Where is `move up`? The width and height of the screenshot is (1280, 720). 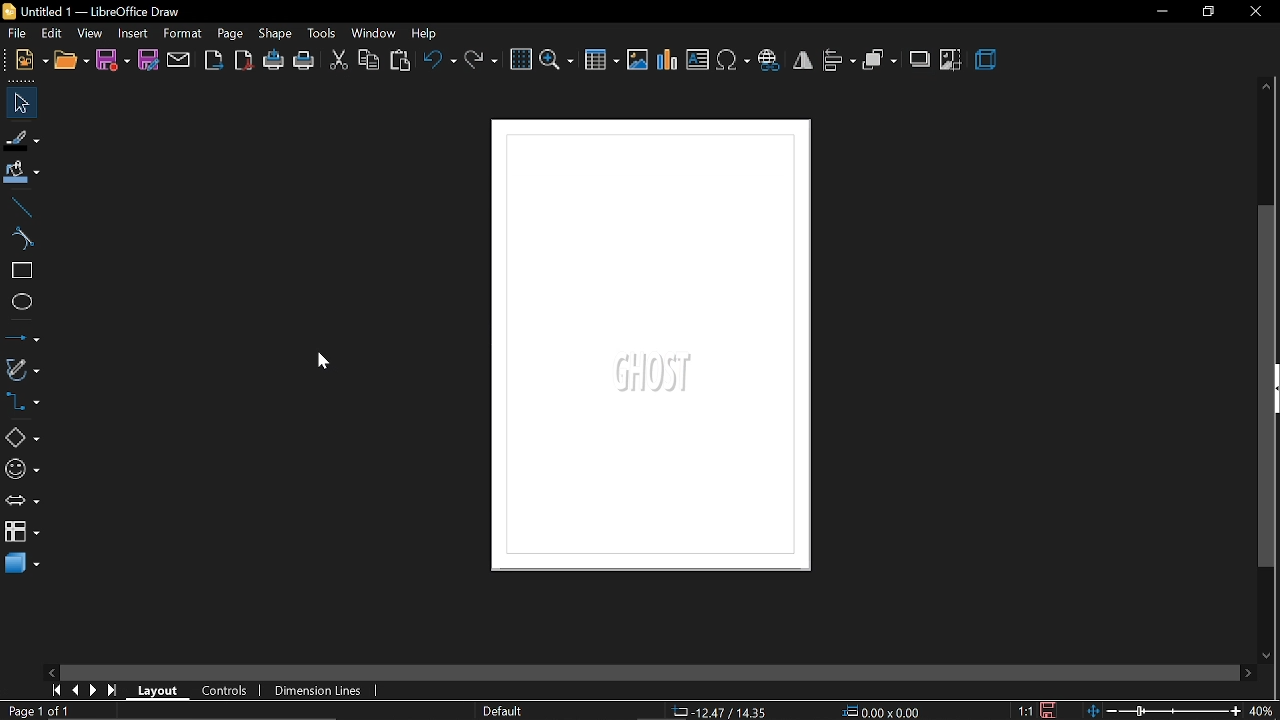
move up is located at coordinates (1268, 88).